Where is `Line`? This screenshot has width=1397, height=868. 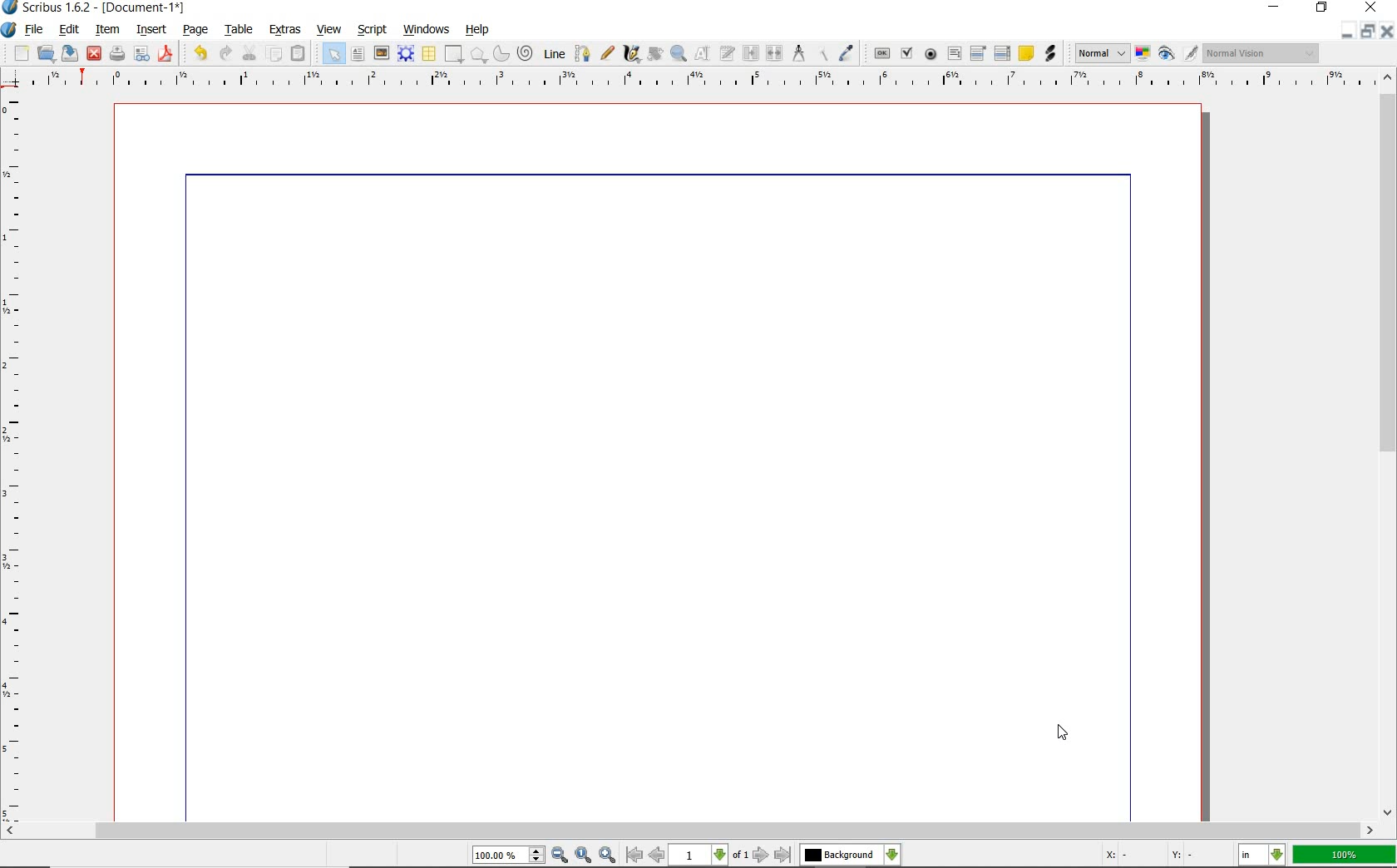
Line is located at coordinates (554, 54).